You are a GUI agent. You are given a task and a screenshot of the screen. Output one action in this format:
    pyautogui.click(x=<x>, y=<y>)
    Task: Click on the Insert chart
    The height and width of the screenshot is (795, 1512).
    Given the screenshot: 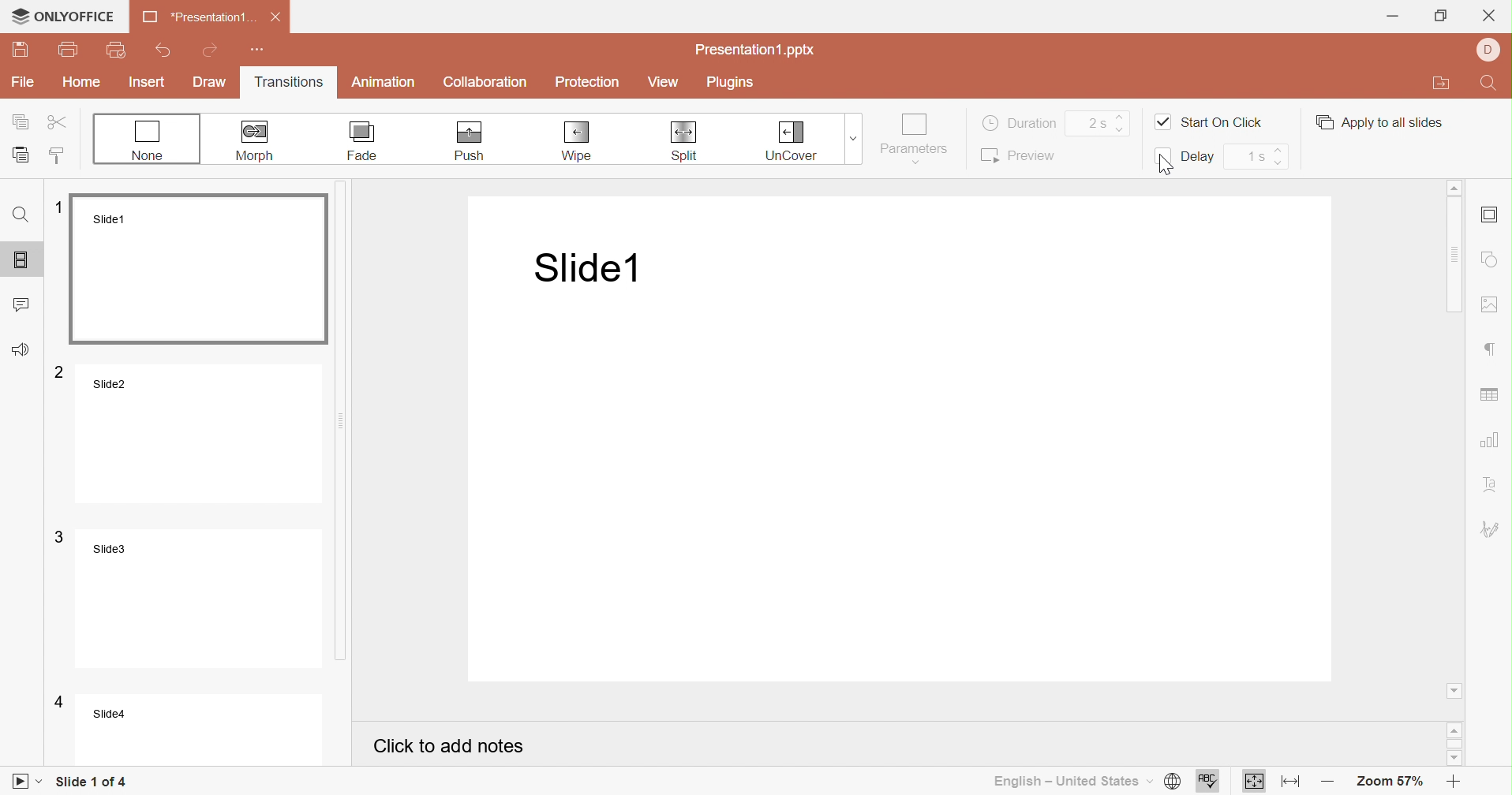 What is the action you would take?
    pyautogui.click(x=1492, y=440)
    